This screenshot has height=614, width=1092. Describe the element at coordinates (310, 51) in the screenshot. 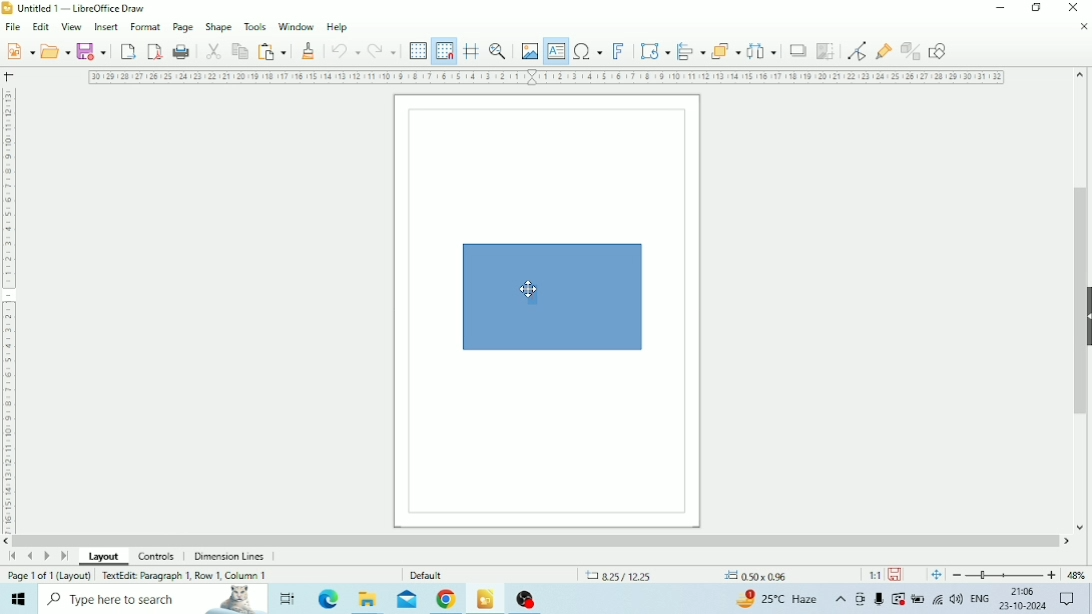

I see `Clone Formatting` at that location.